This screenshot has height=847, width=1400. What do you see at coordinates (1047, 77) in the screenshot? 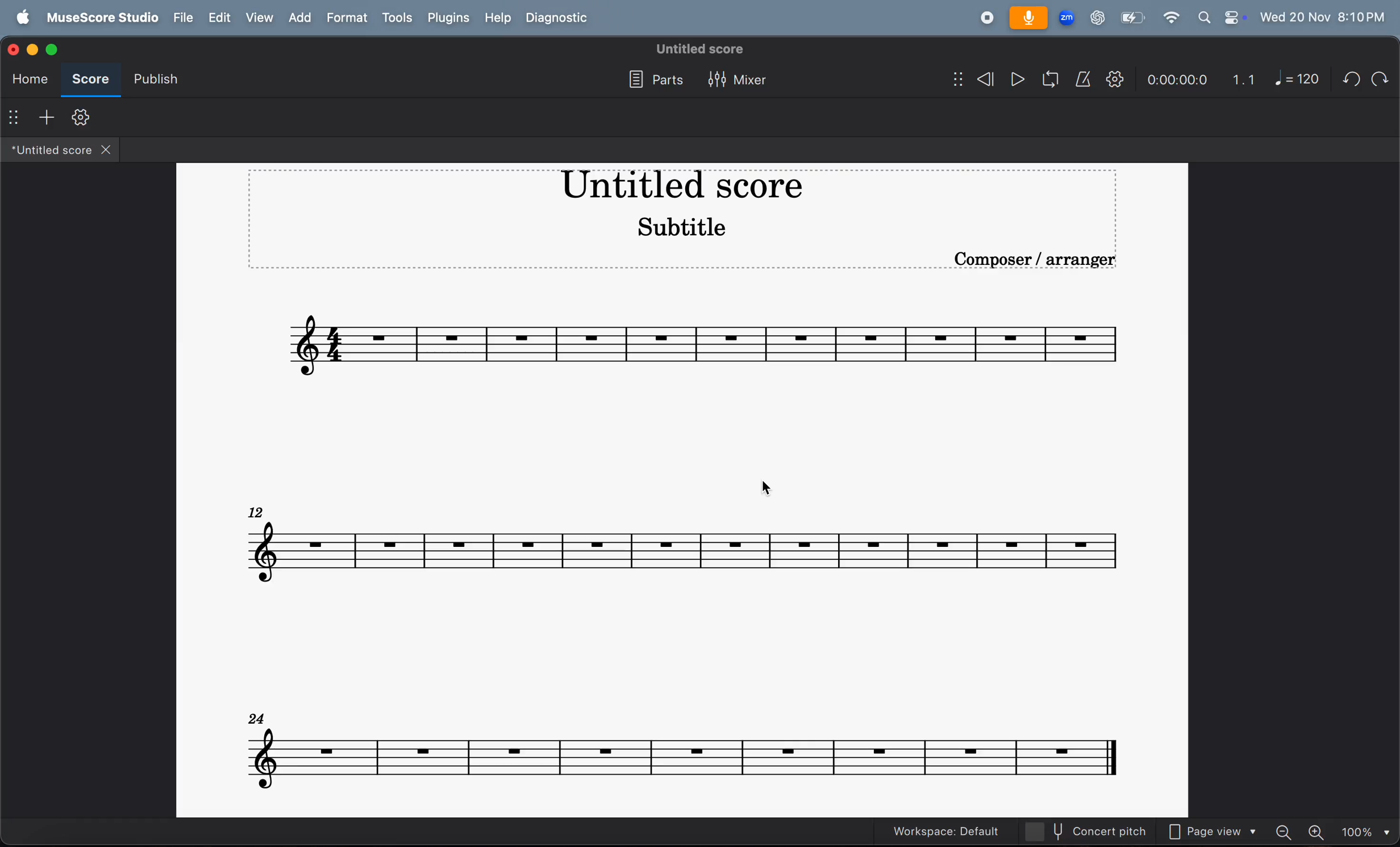
I see `loop play ` at bounding box center [1047, 77].